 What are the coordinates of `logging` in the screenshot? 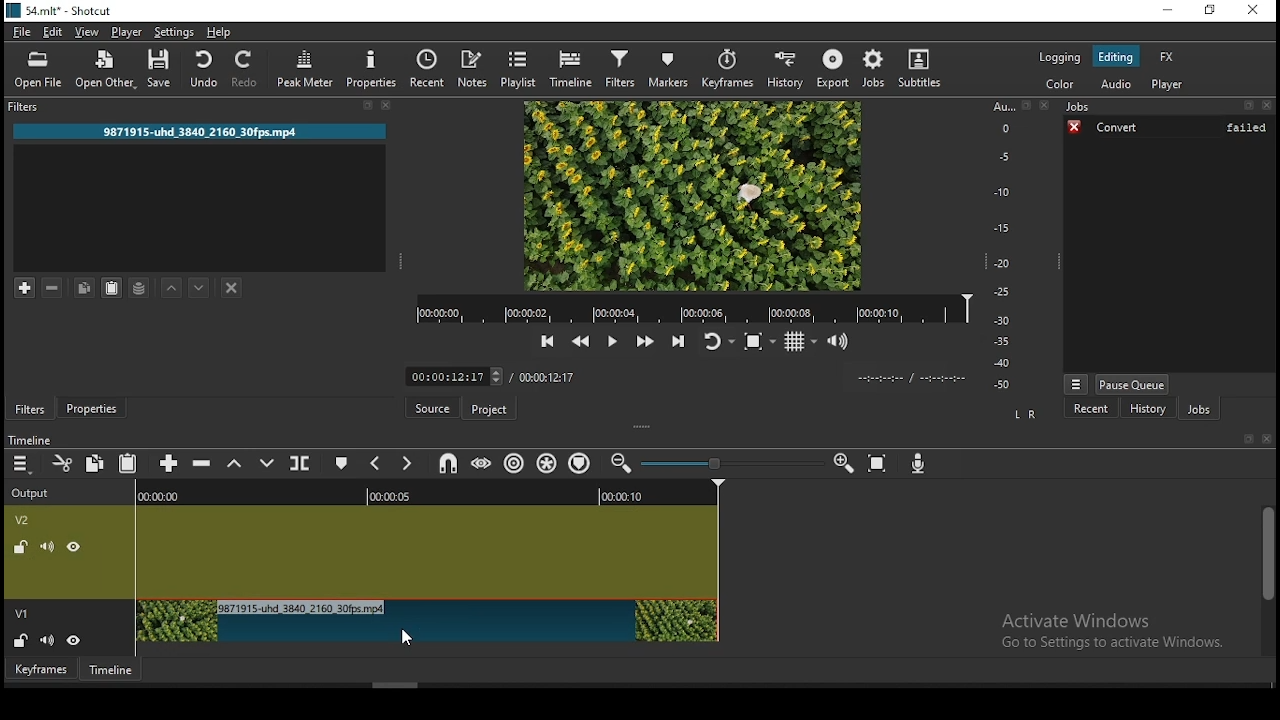 It's located at (1059, 57).